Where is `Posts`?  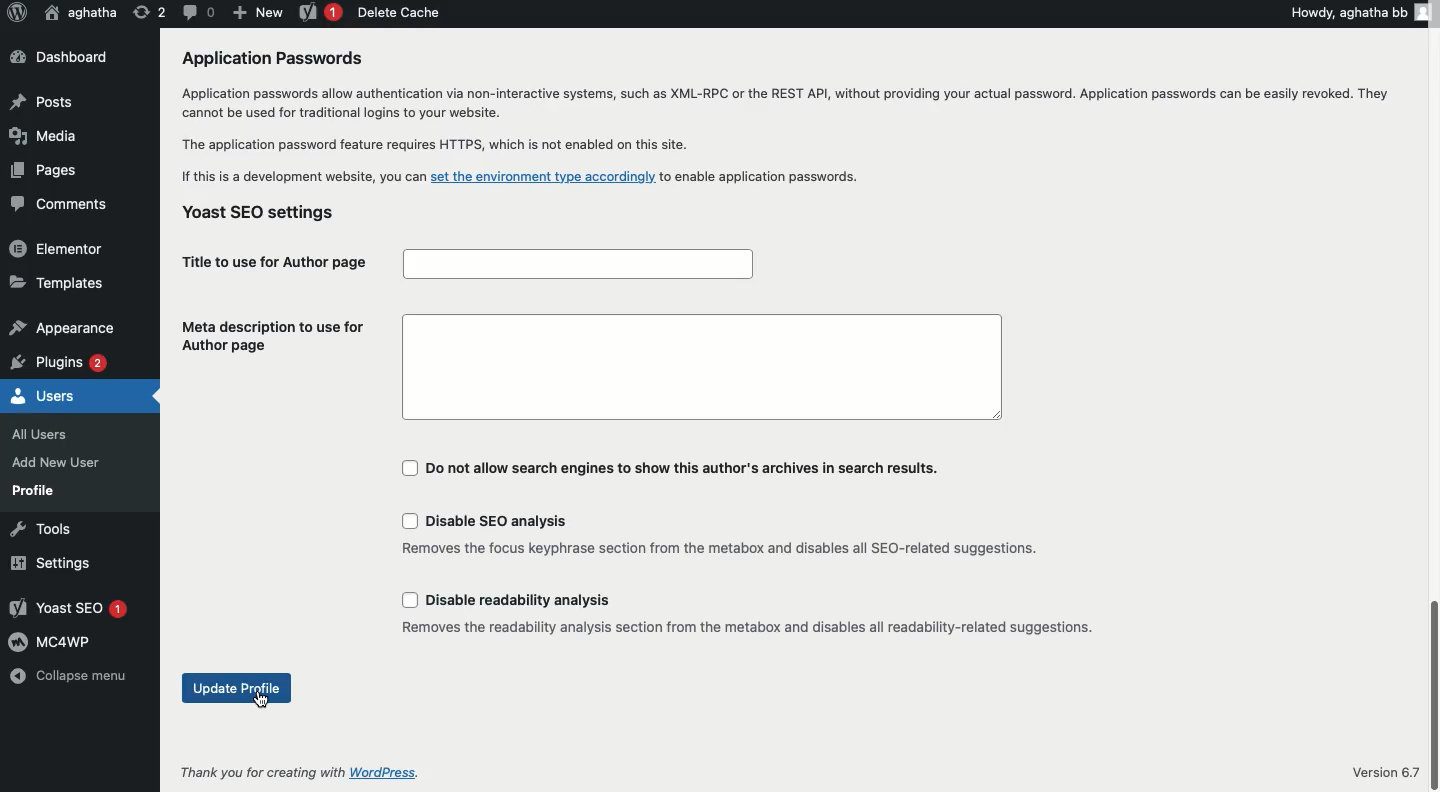
Posts is located at coordinates (43, 104).